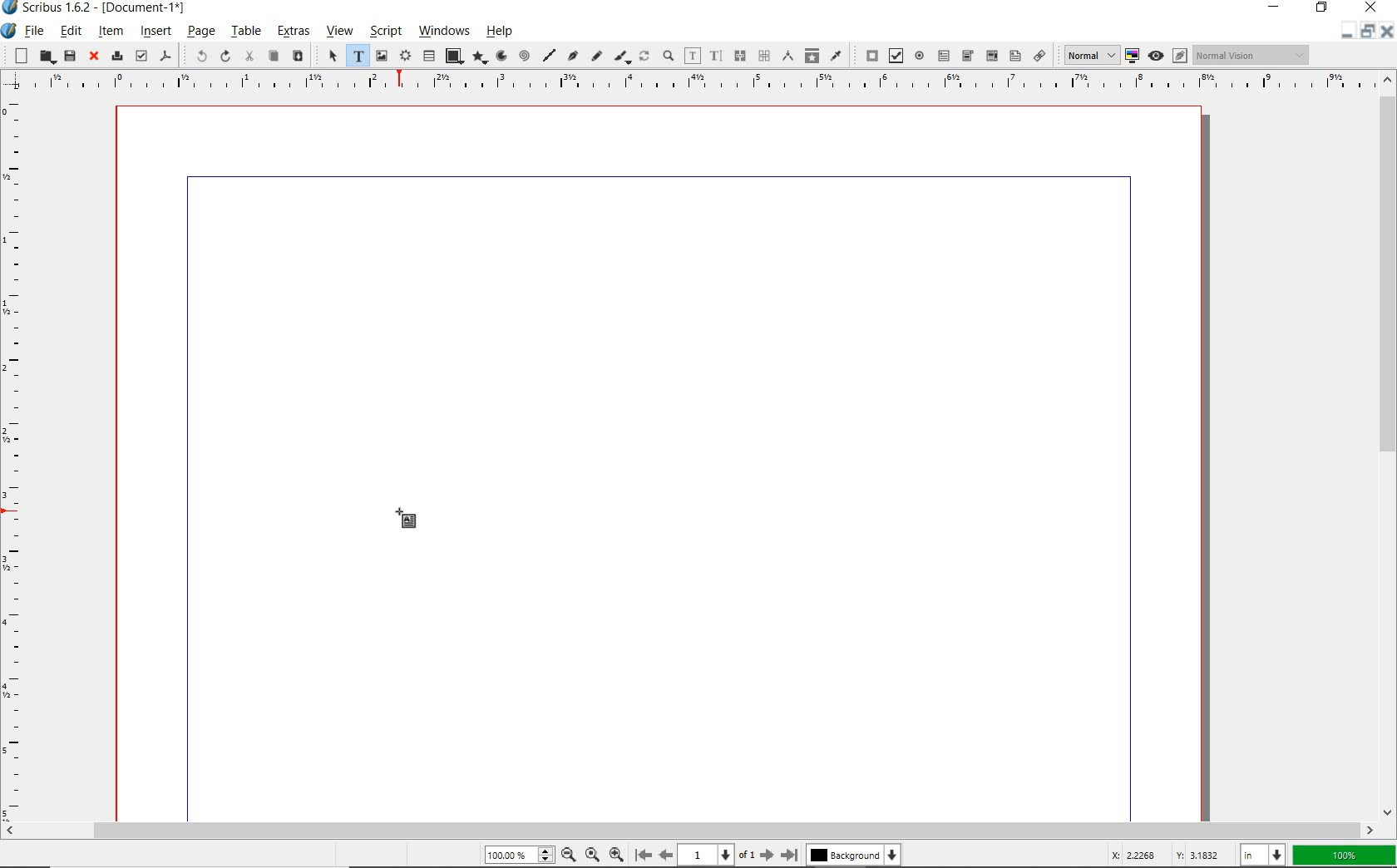 The image size is (1397, 868). I want to click on text frame, so click(357, 57).